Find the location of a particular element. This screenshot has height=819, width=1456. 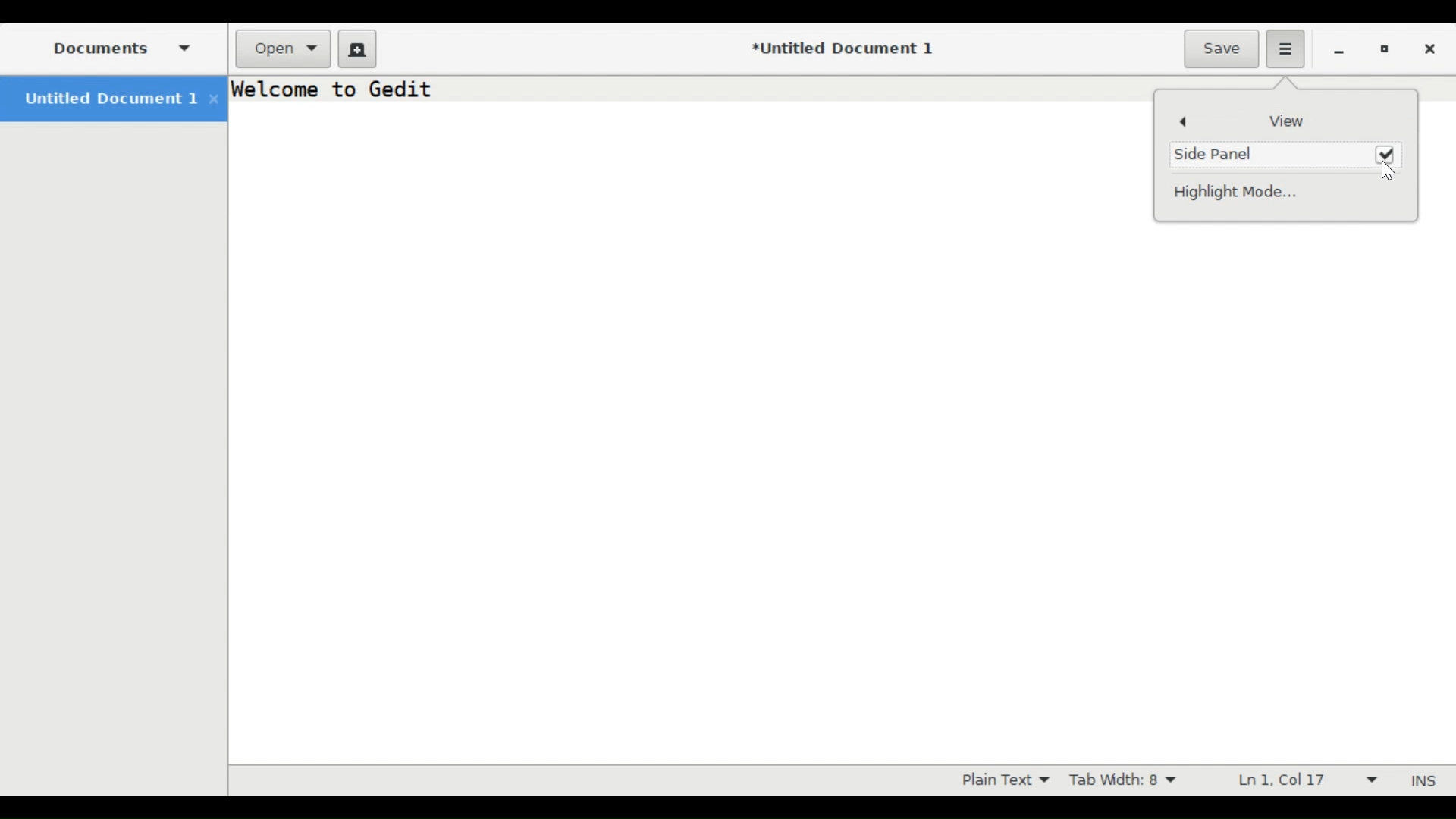

Highlight Mode is located at coordinates (1246, 192).